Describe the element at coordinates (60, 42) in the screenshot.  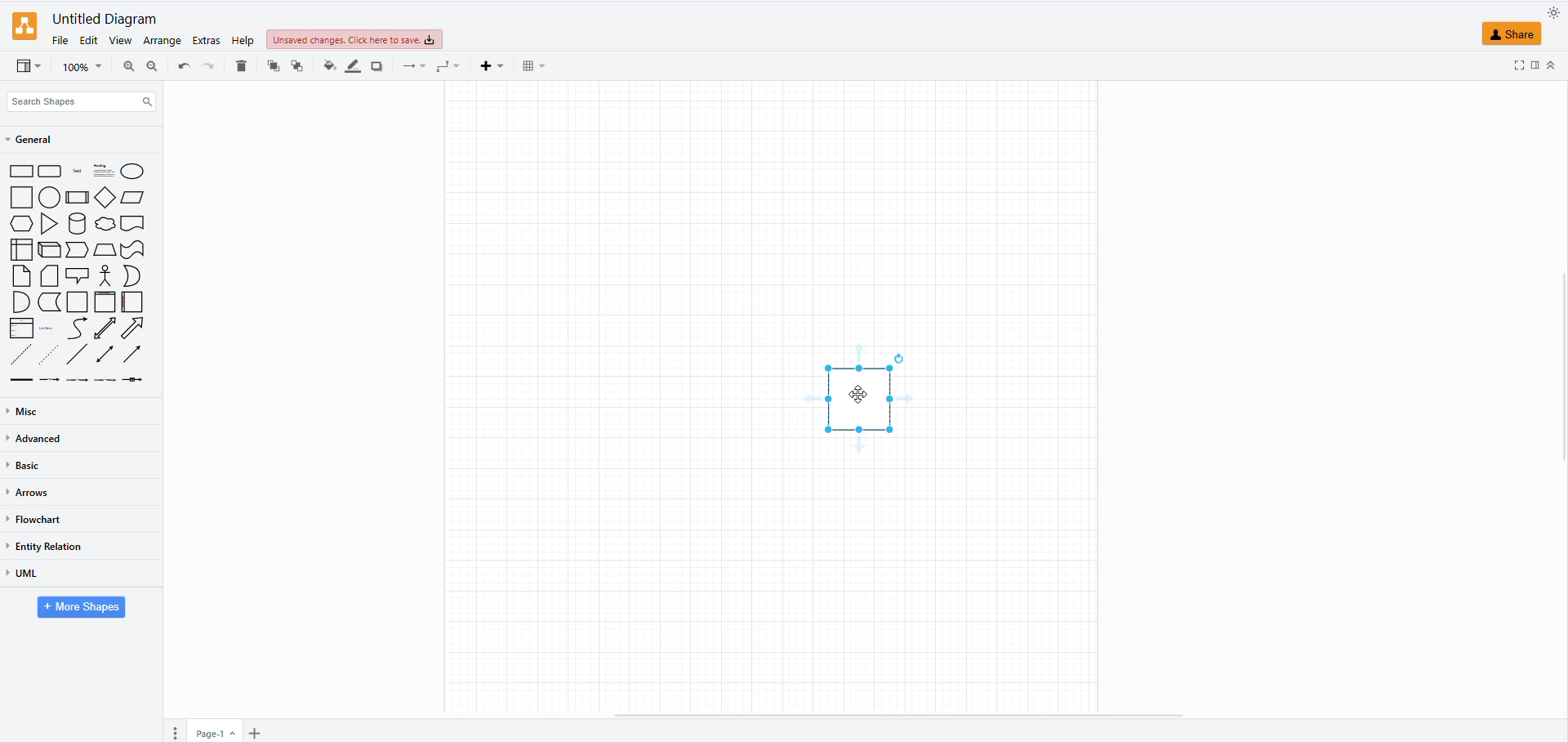
I see `file` at that location.